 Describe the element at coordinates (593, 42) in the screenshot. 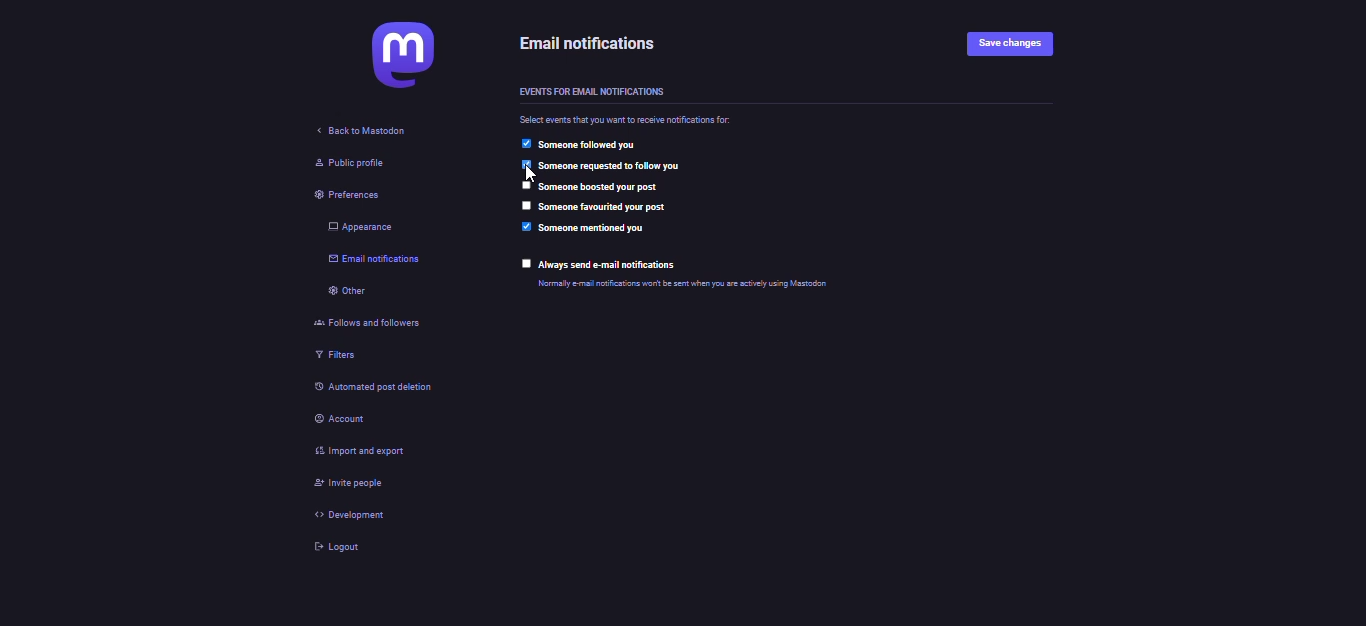

I see `email notifications` at that location.